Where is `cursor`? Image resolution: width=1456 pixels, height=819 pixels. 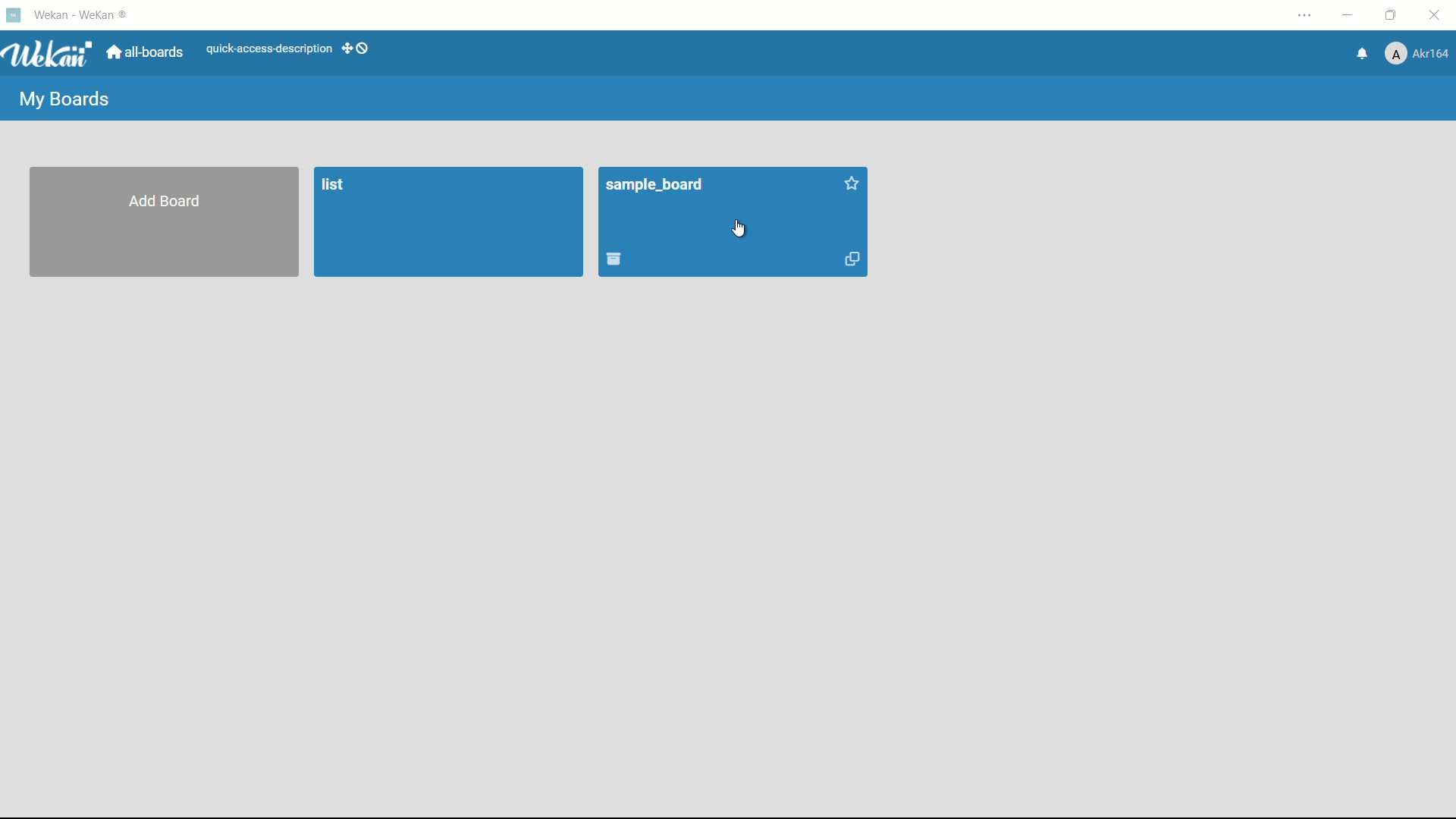 cursor is located at coordinates (739, 228).